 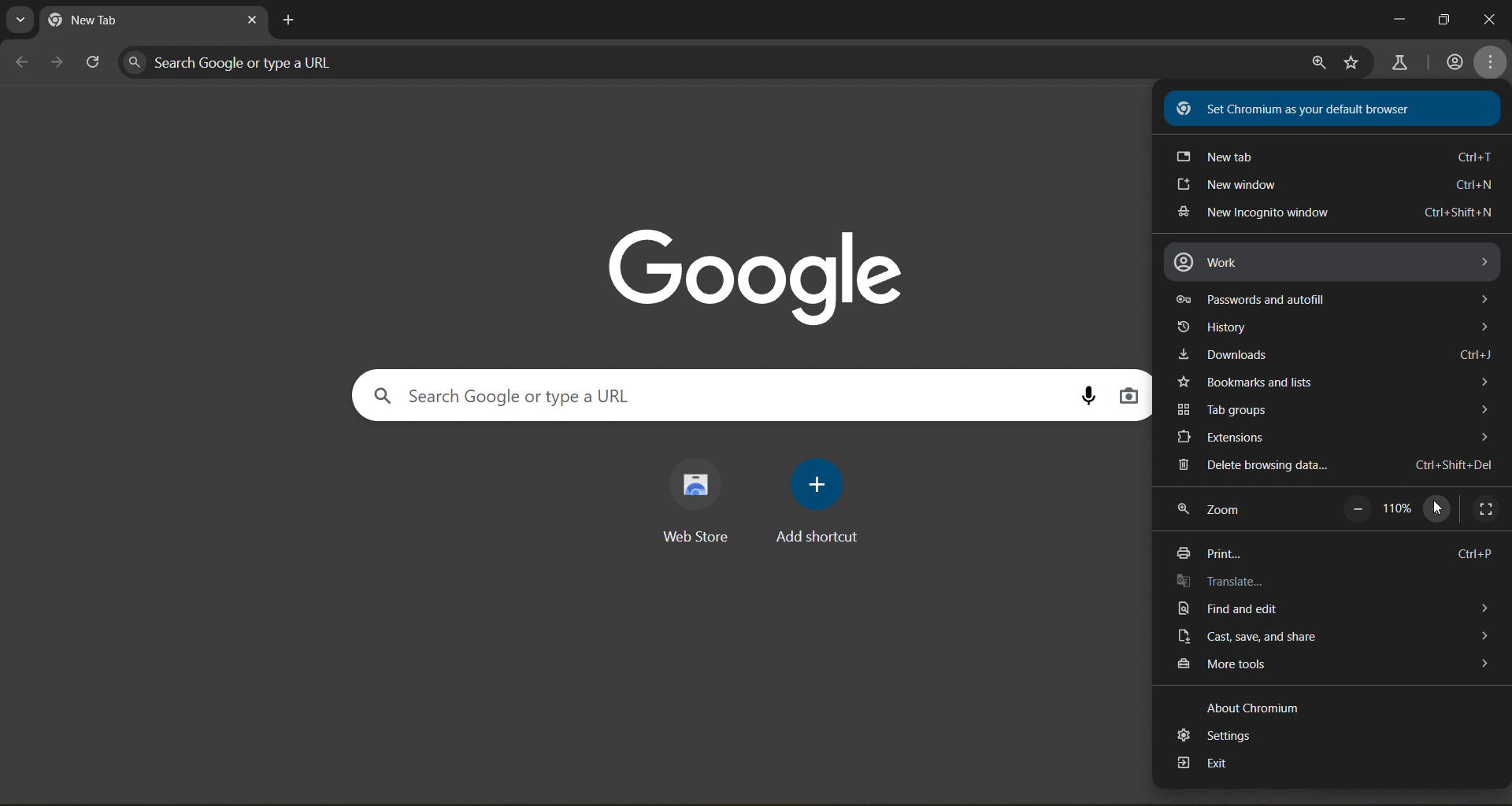 I want to click on reload page, so click(x=94, y=63).